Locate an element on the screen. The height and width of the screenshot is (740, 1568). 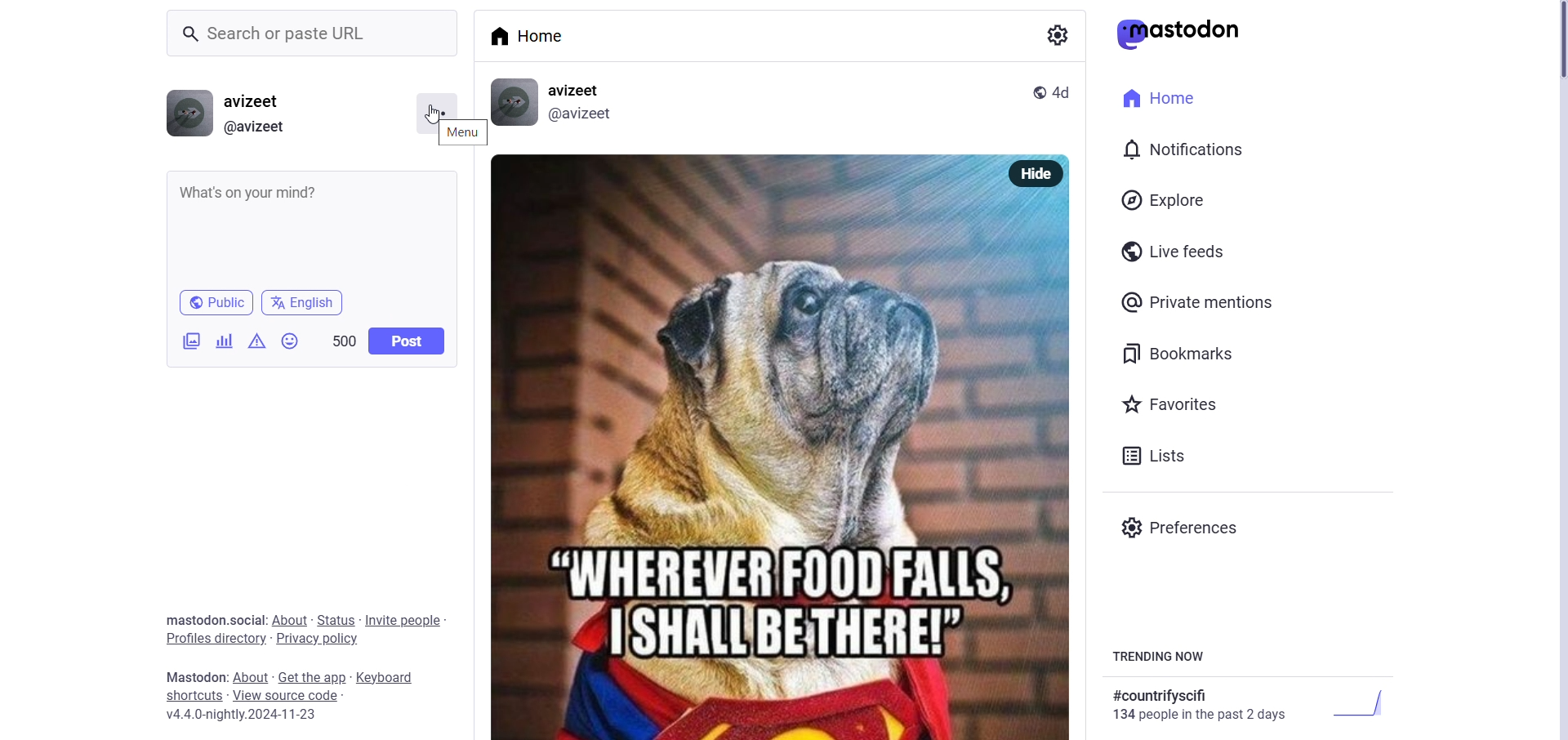
search is located at coordinates (317, 33).